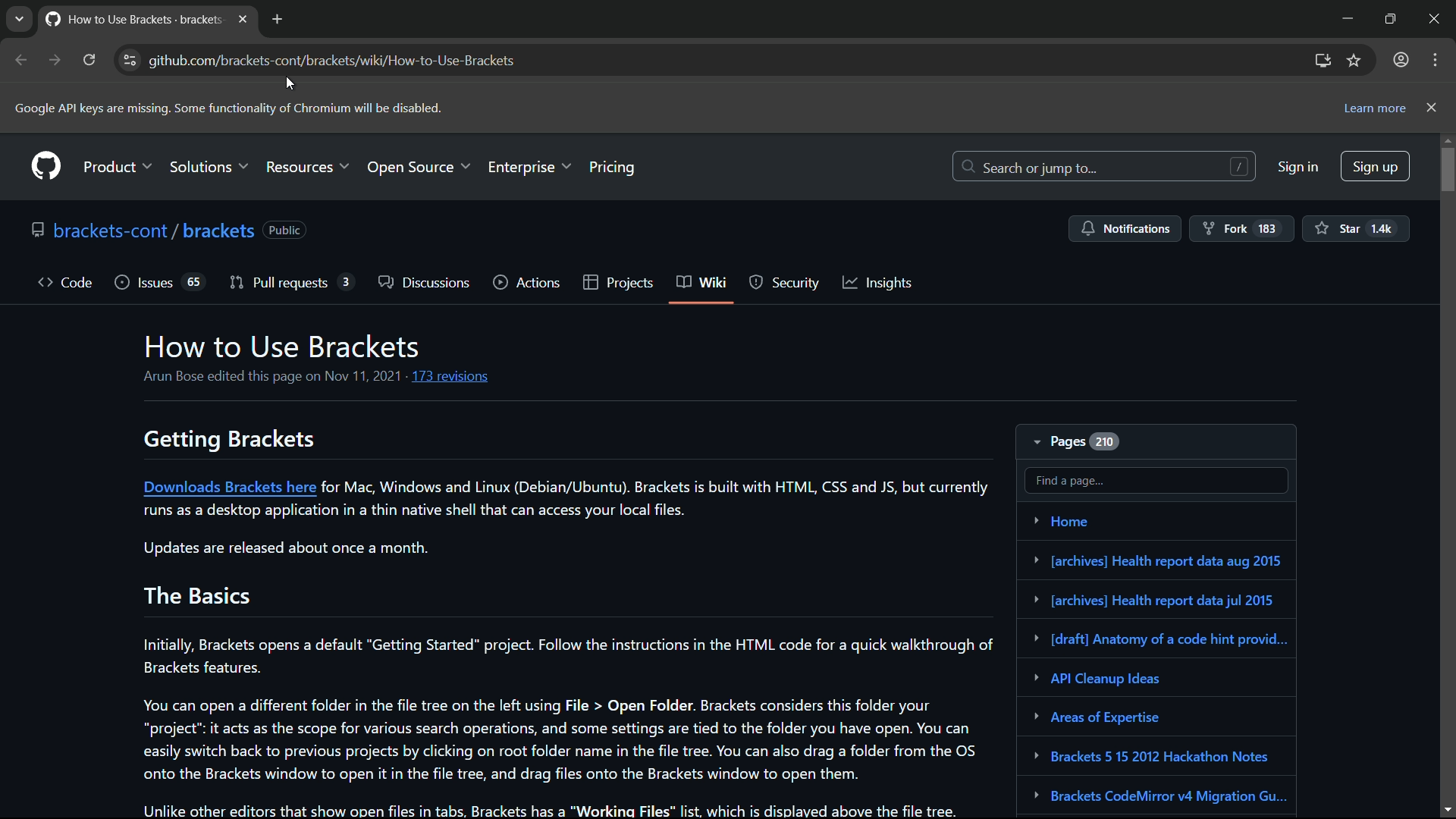  What do you see at coordinates (702, 282) in the screenshot?
I see `wiki` at bounding box center [702, 282].